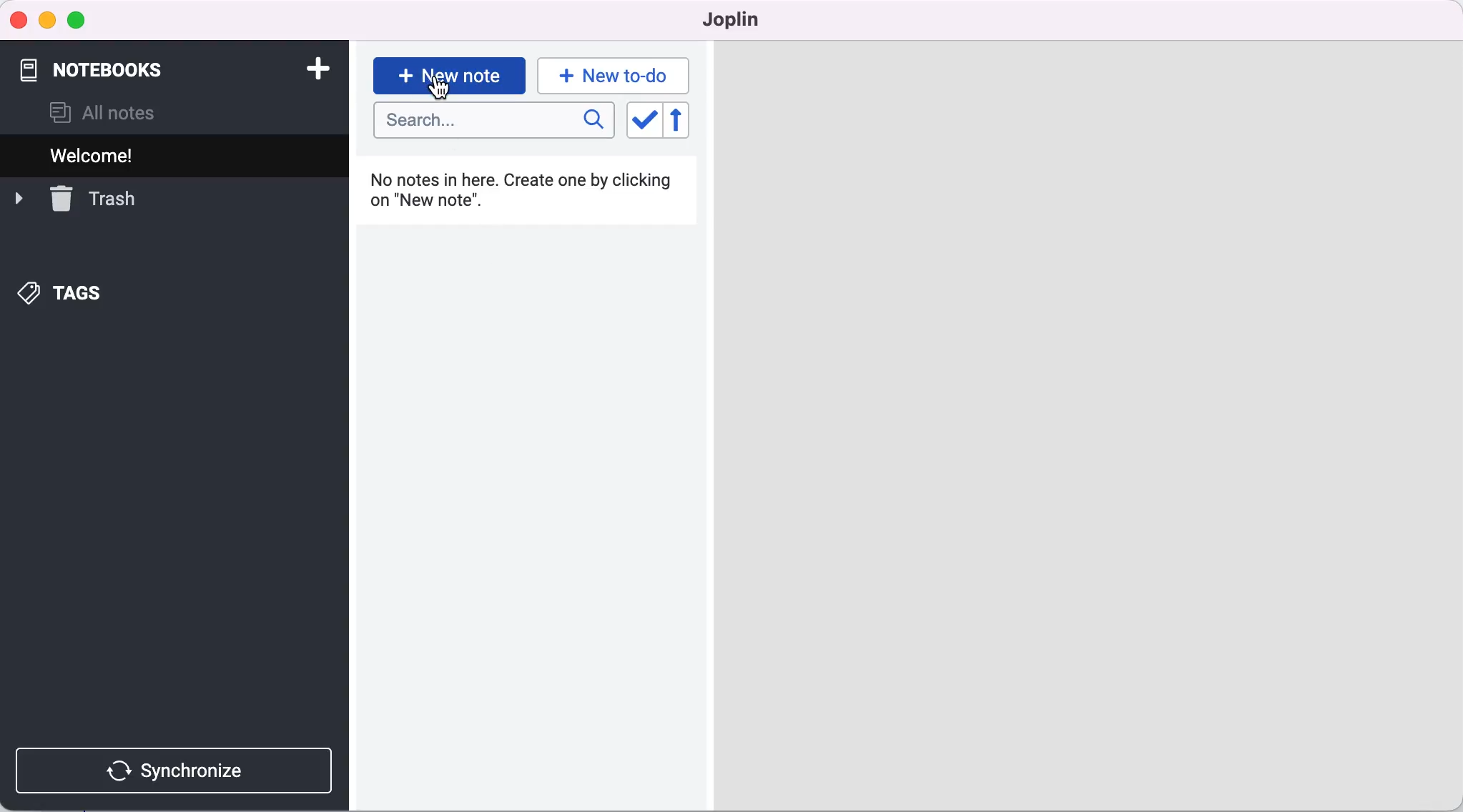 The width and height of the screenshot is (1463, 812). I want to click on all notes, so click(119, 111).